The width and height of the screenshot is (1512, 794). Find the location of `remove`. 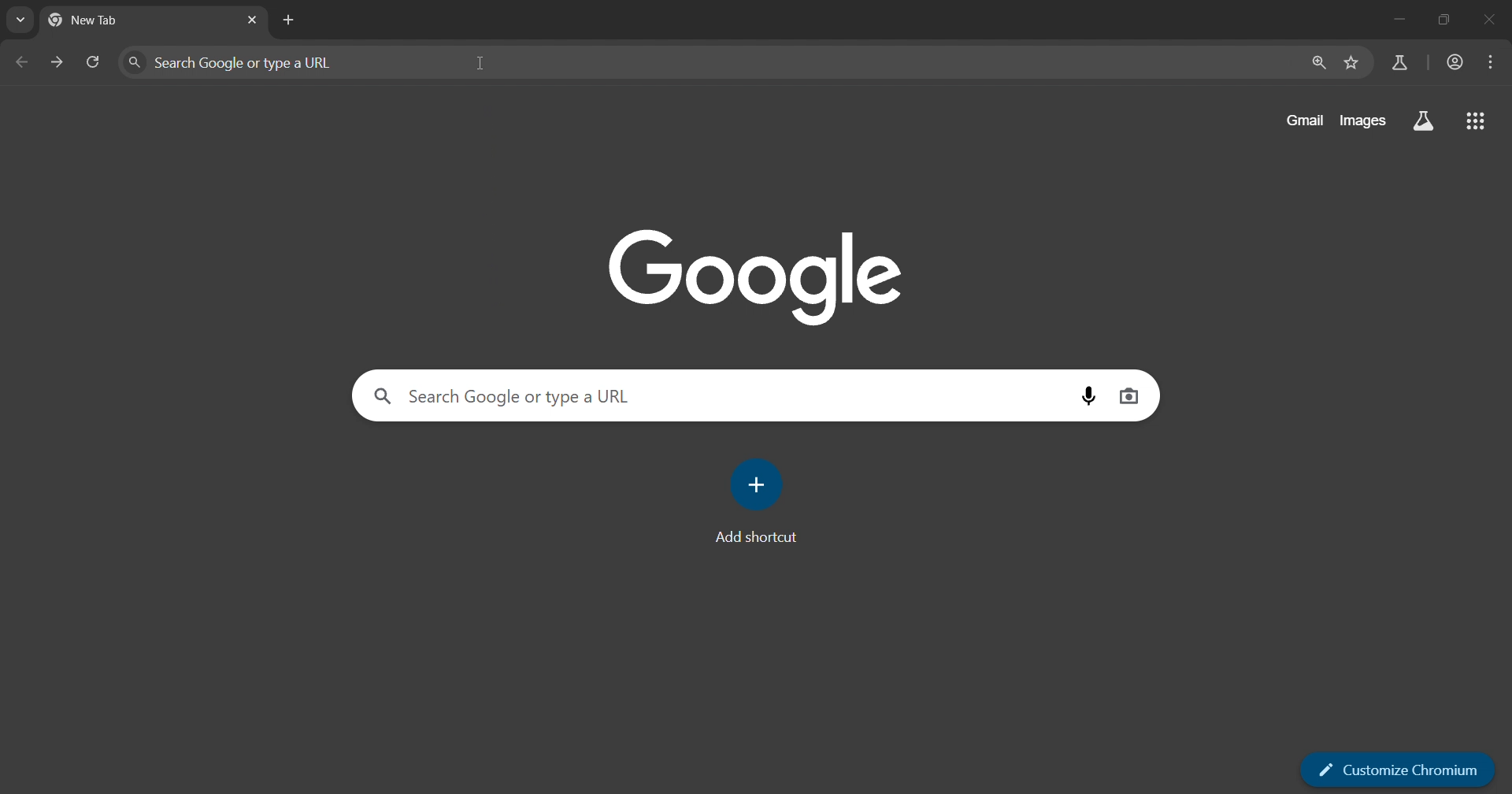

remove is located at coordinates (1492, 21).